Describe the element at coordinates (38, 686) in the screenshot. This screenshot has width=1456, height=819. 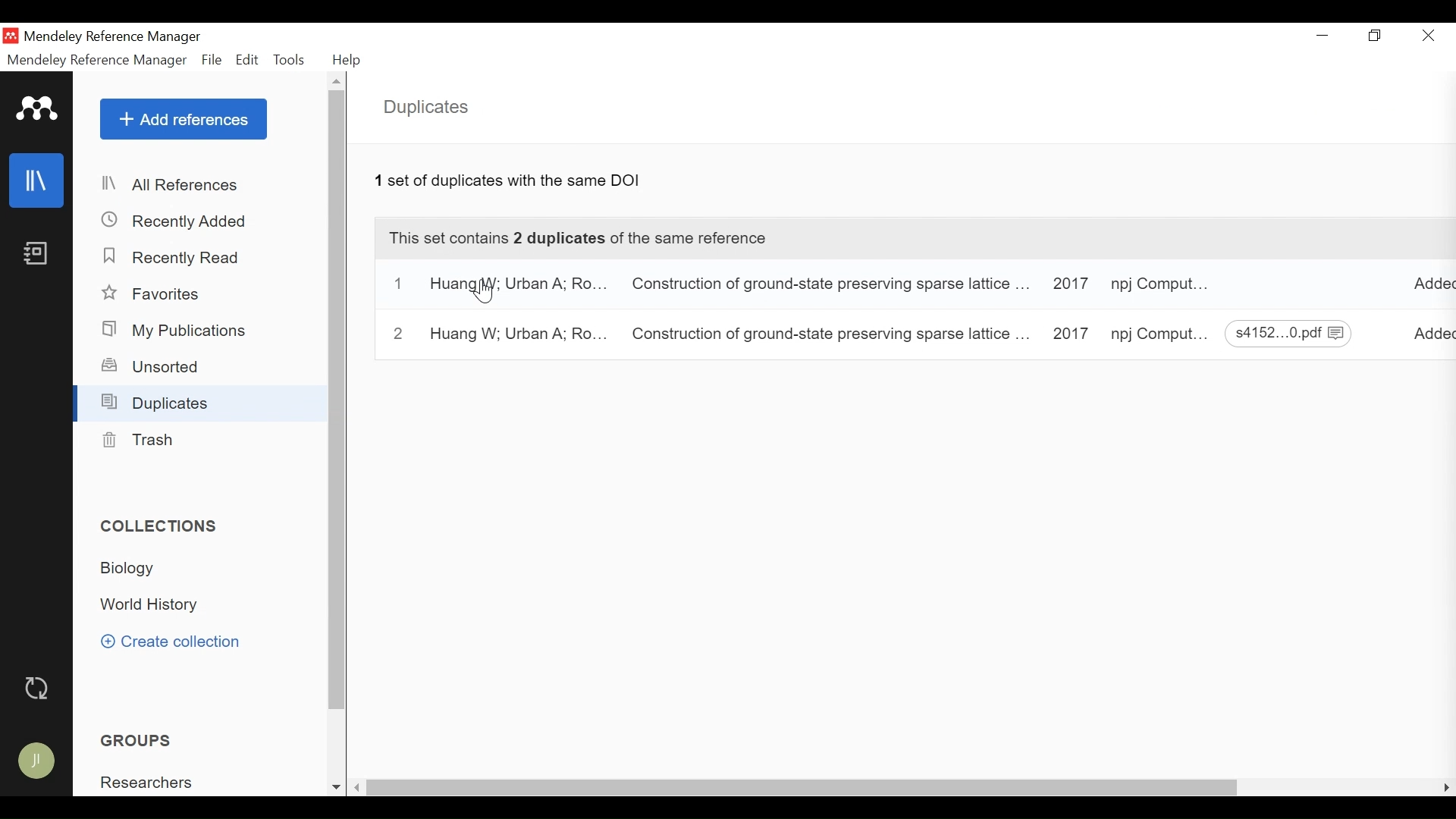
I see `Sync` at that location.